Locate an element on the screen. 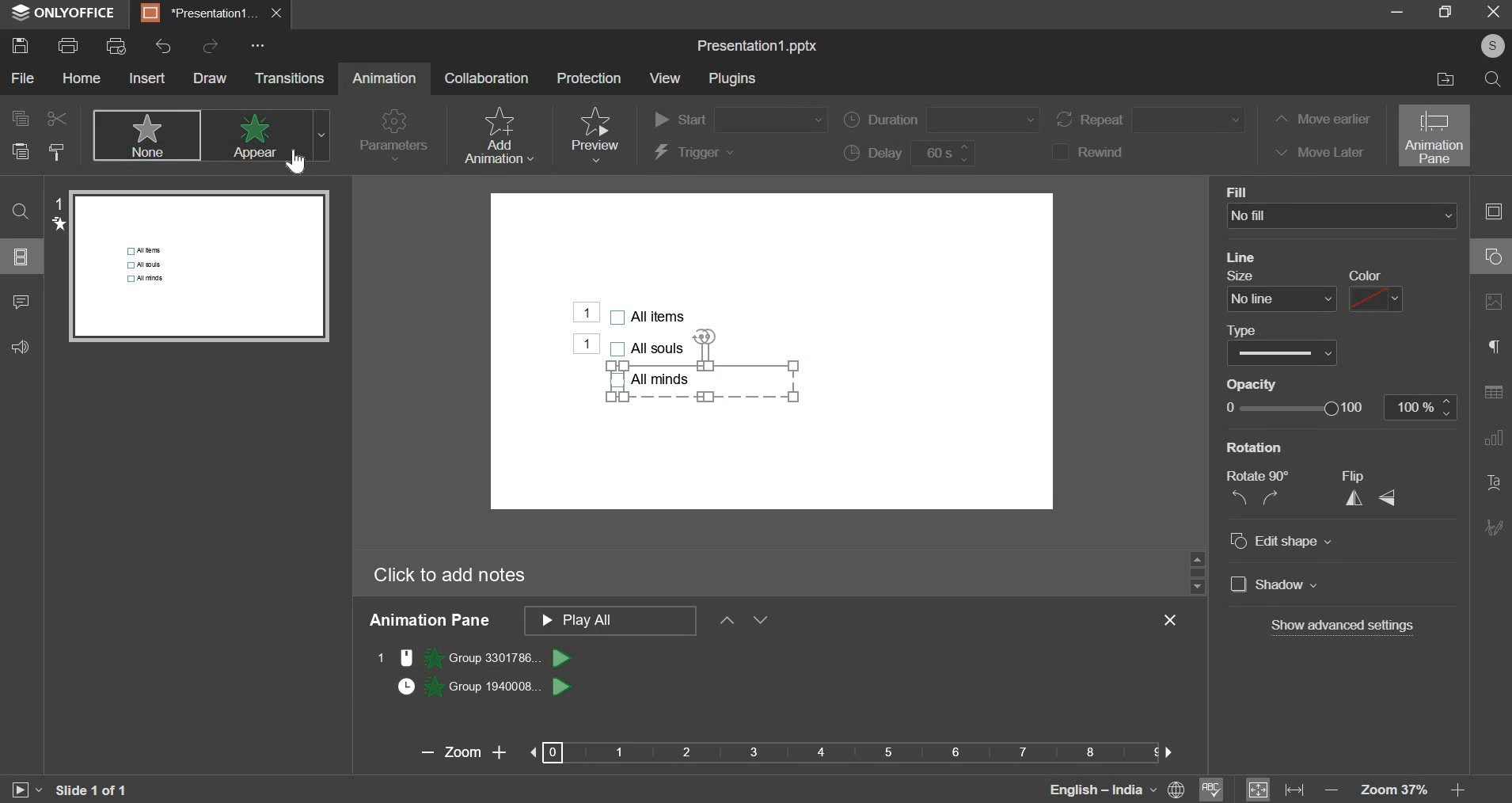 Image resolution: width=1512 pixels, height=803 pixels. slideshow is located at coordinates (25, 788).